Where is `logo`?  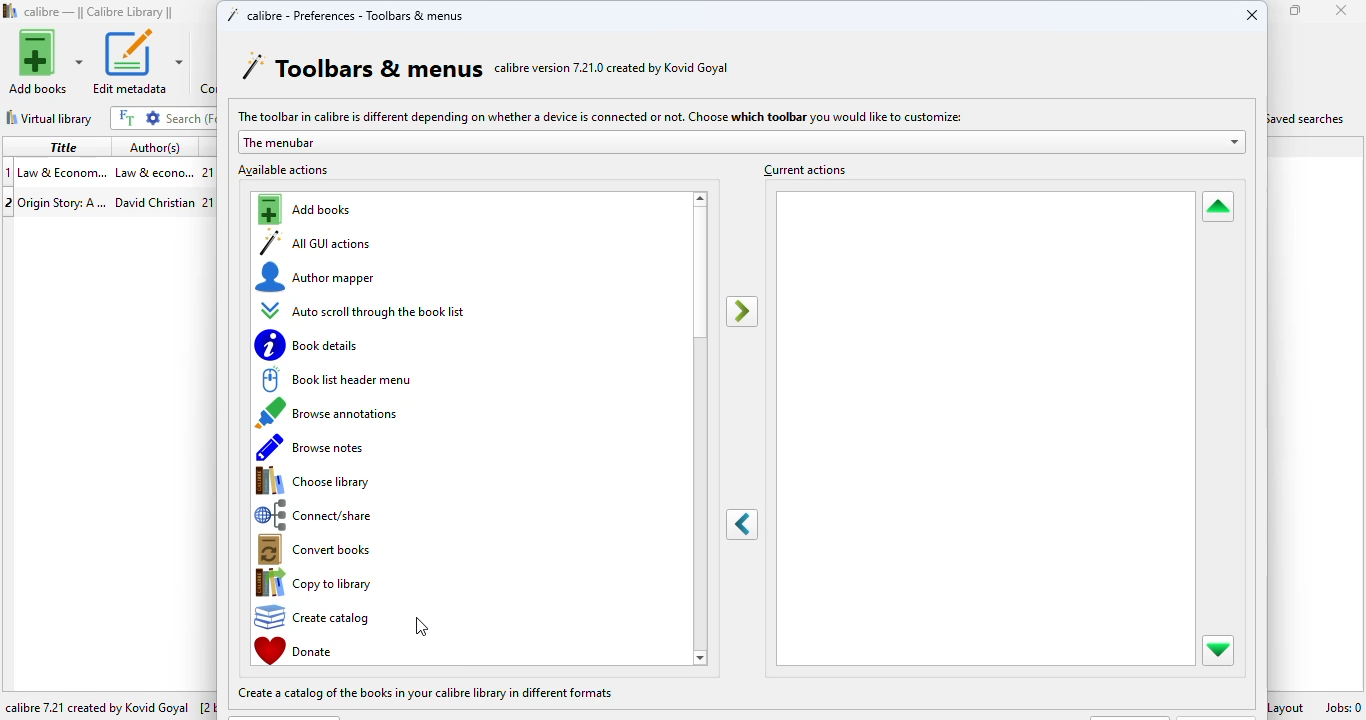 logo is located at coordinates (11, 10).